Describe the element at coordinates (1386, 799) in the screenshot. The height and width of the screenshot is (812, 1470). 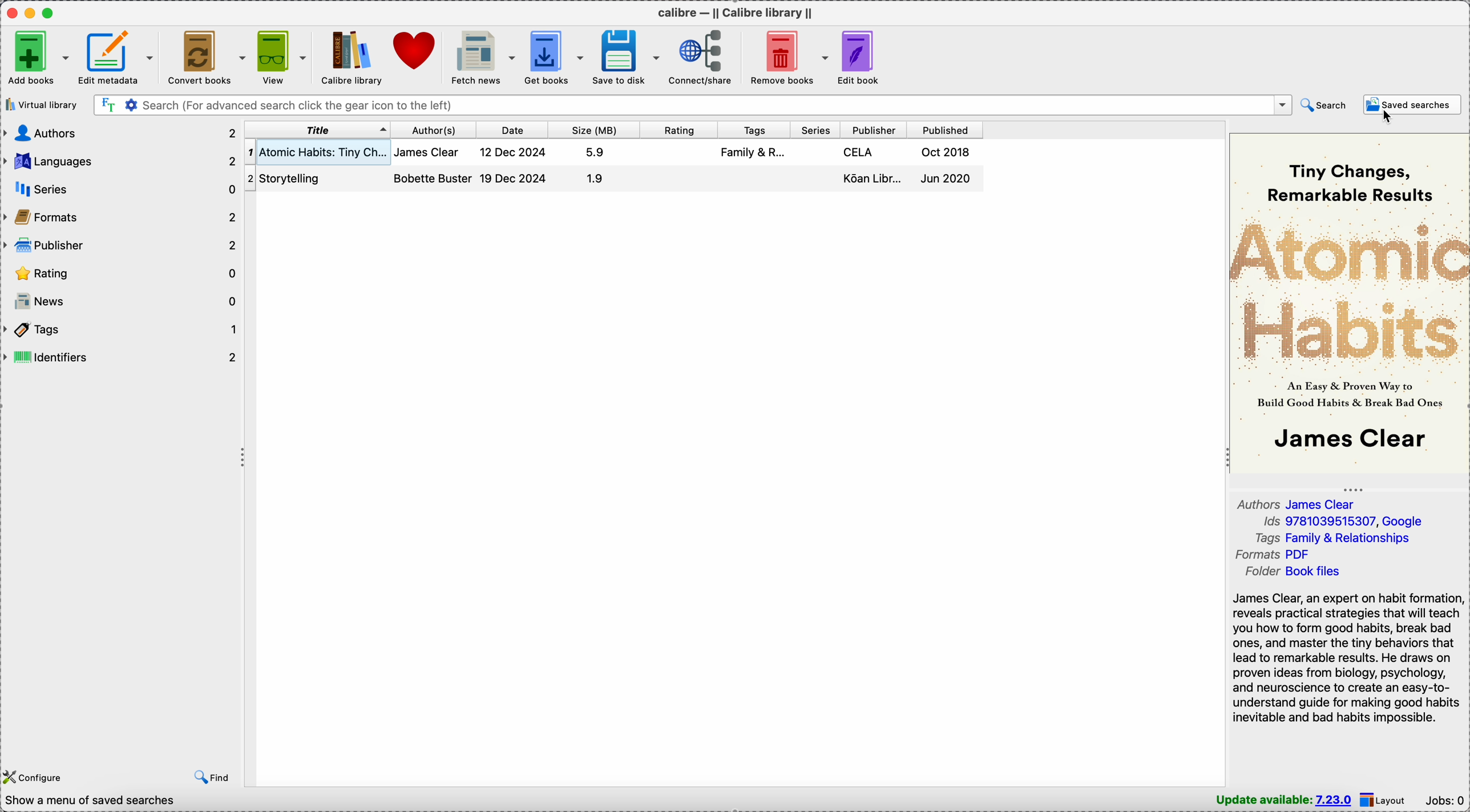
I see `layout` at that location.